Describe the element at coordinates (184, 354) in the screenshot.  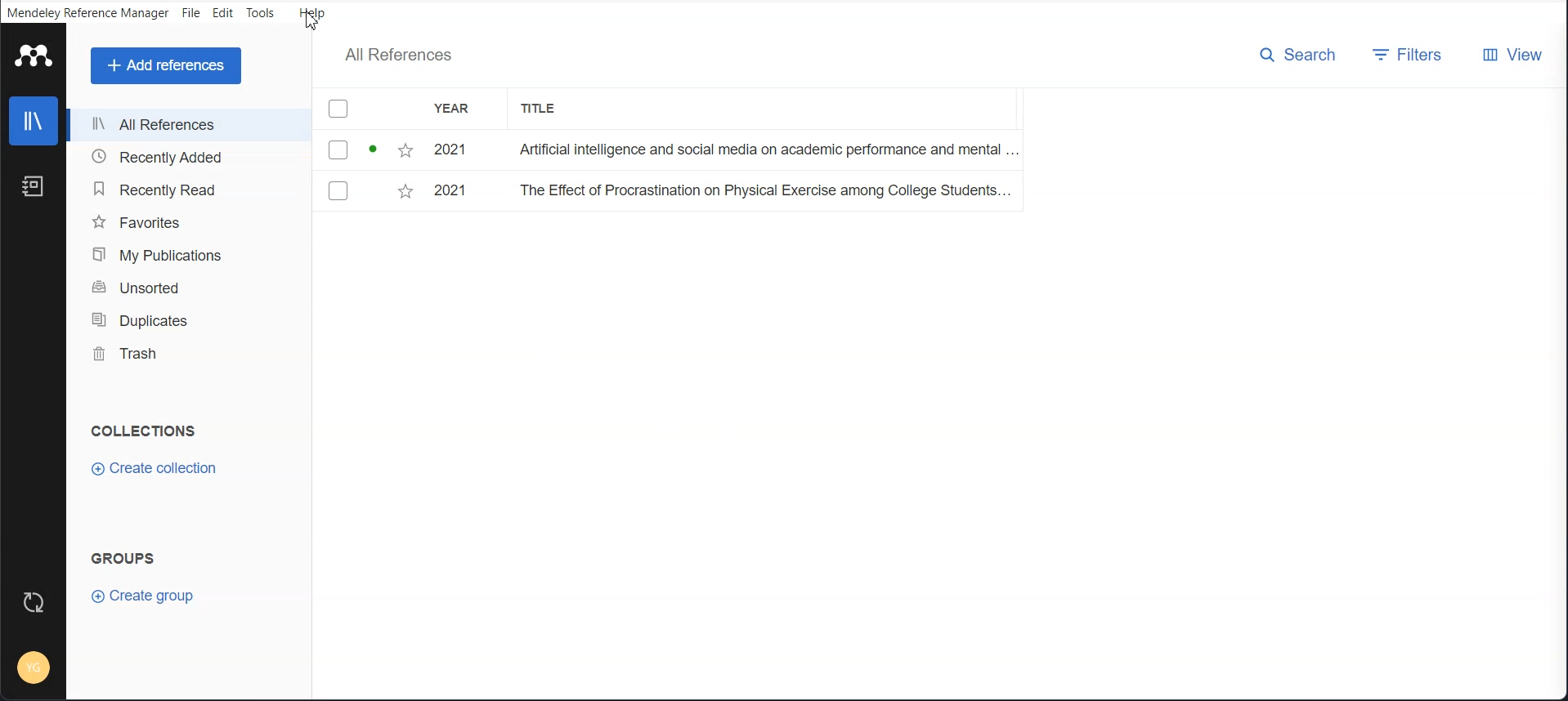
I see `Trash` at that location.